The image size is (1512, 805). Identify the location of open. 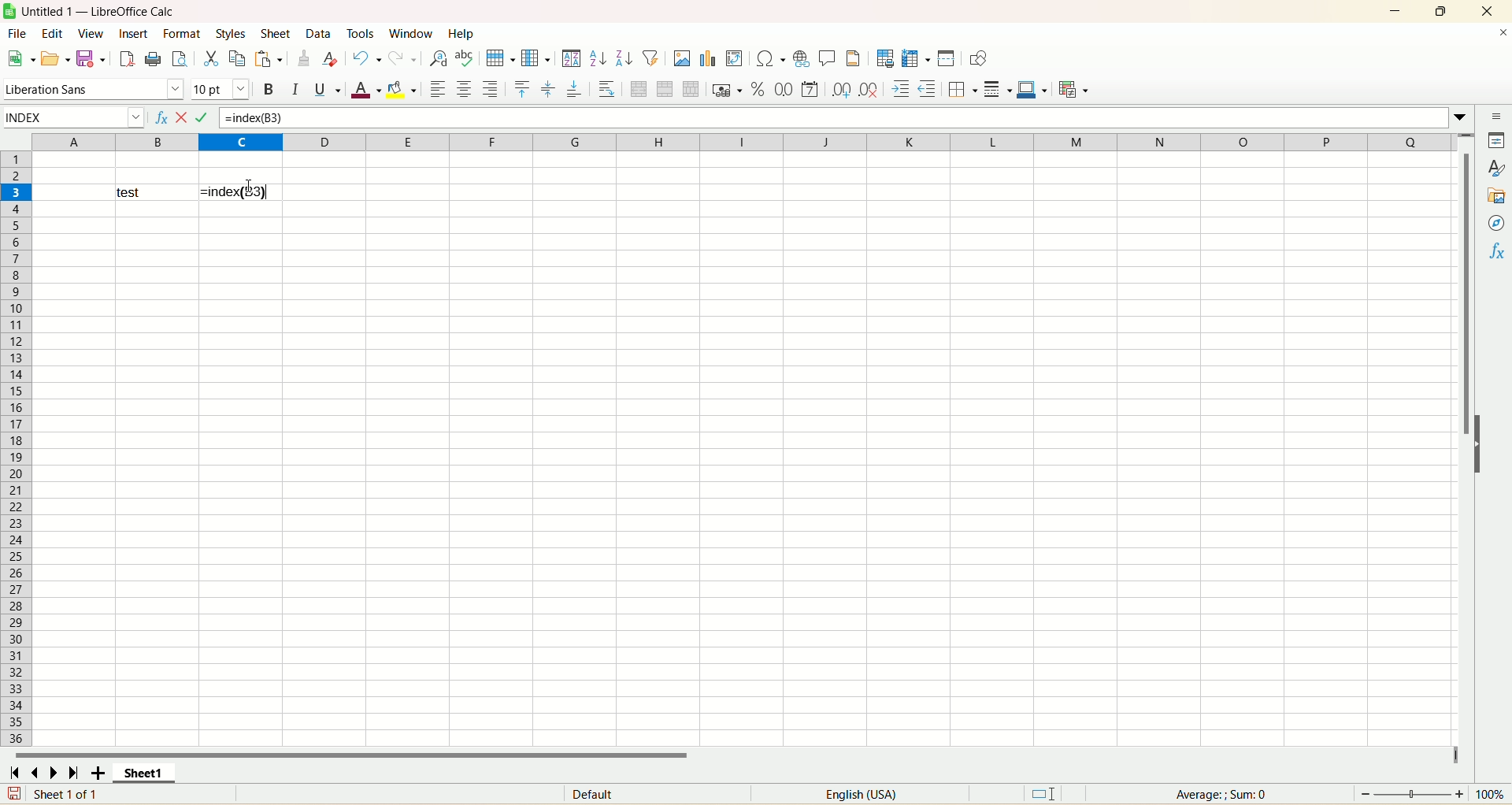
(55, 59).